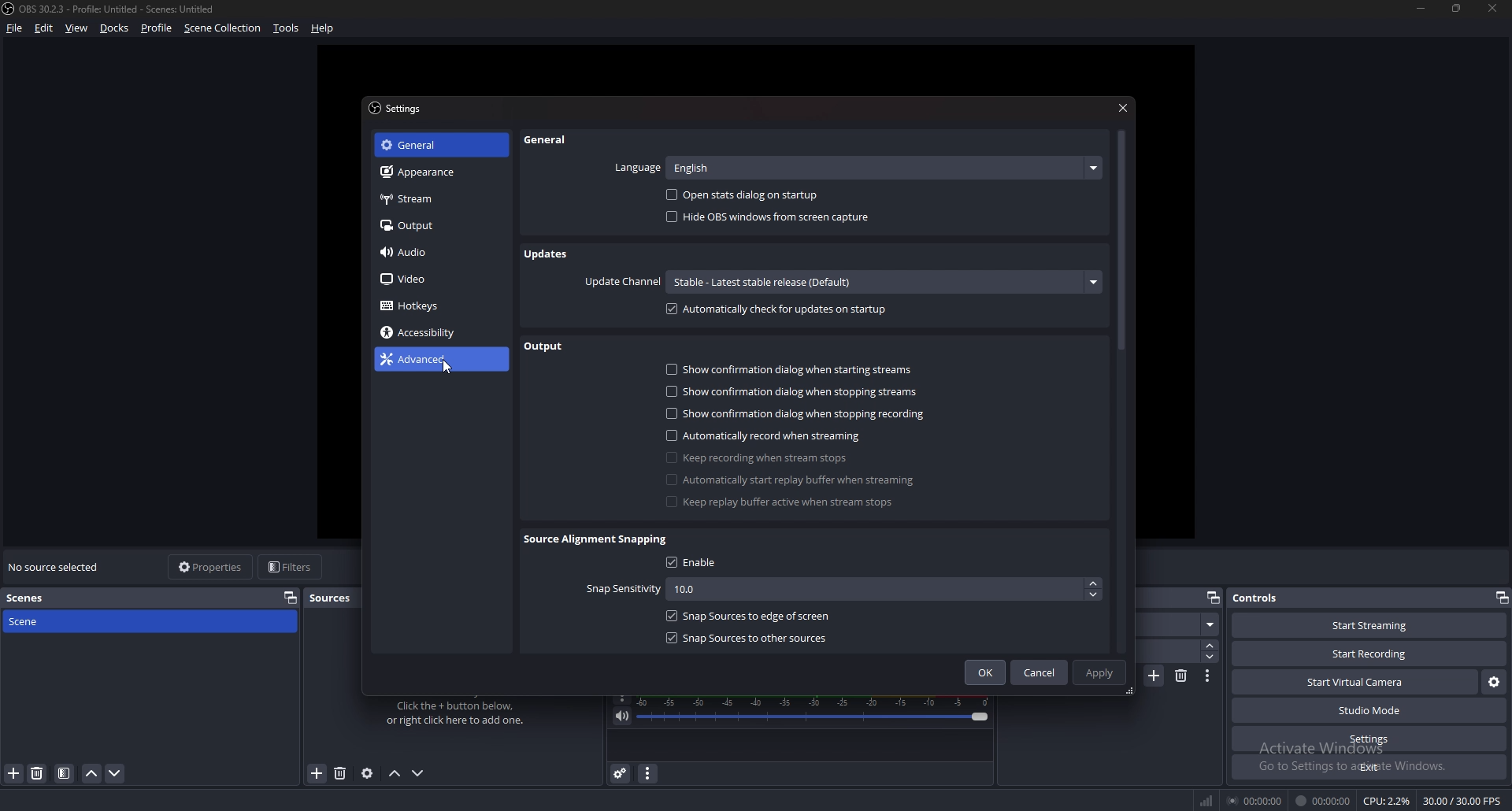 Image resolution: width=1512 pixels, height=811 pixels. What do you see at coordinates (29, 624) in the screenshot?
I see `scene` at bounding box center [29, 624].